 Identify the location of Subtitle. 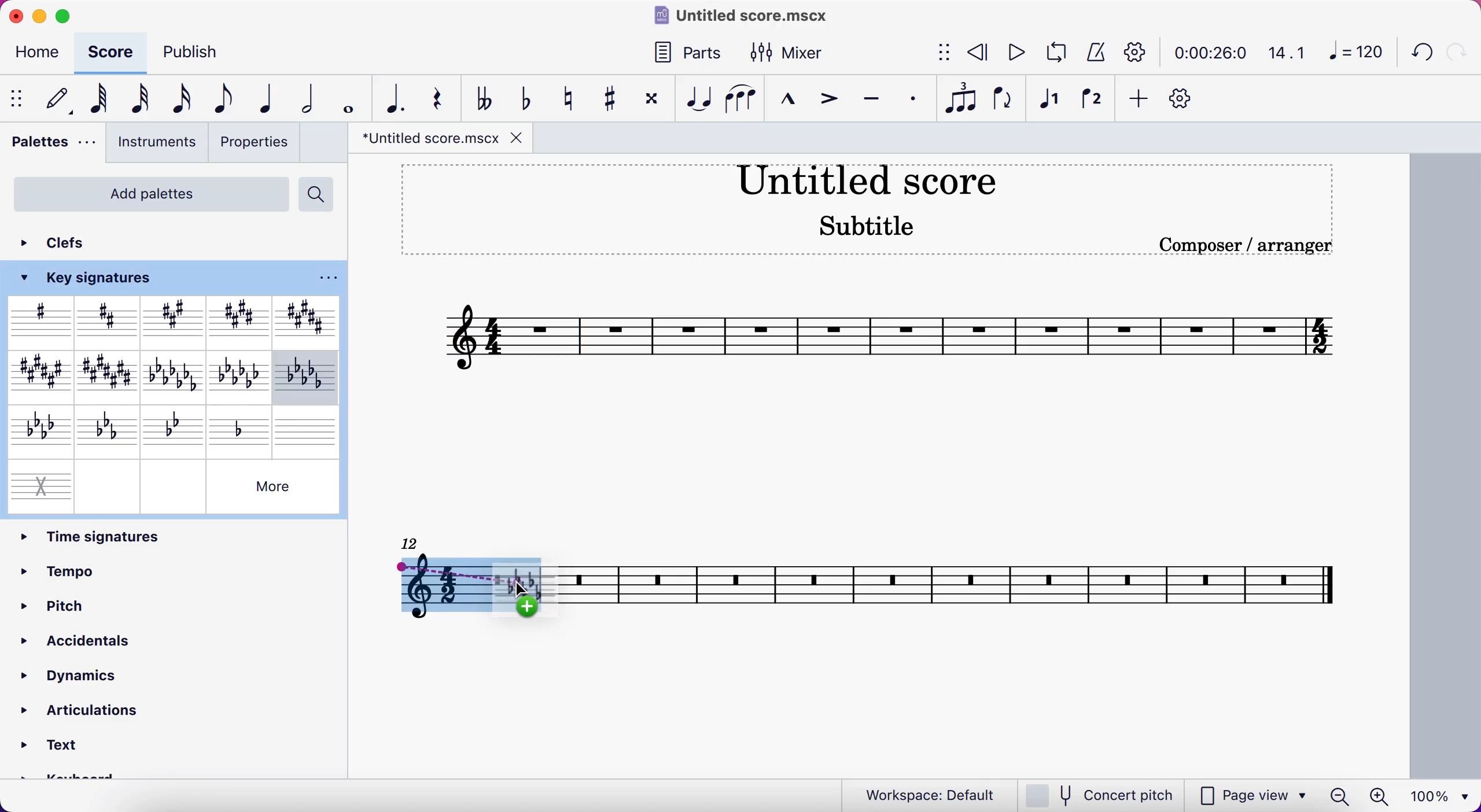
(865, 226).